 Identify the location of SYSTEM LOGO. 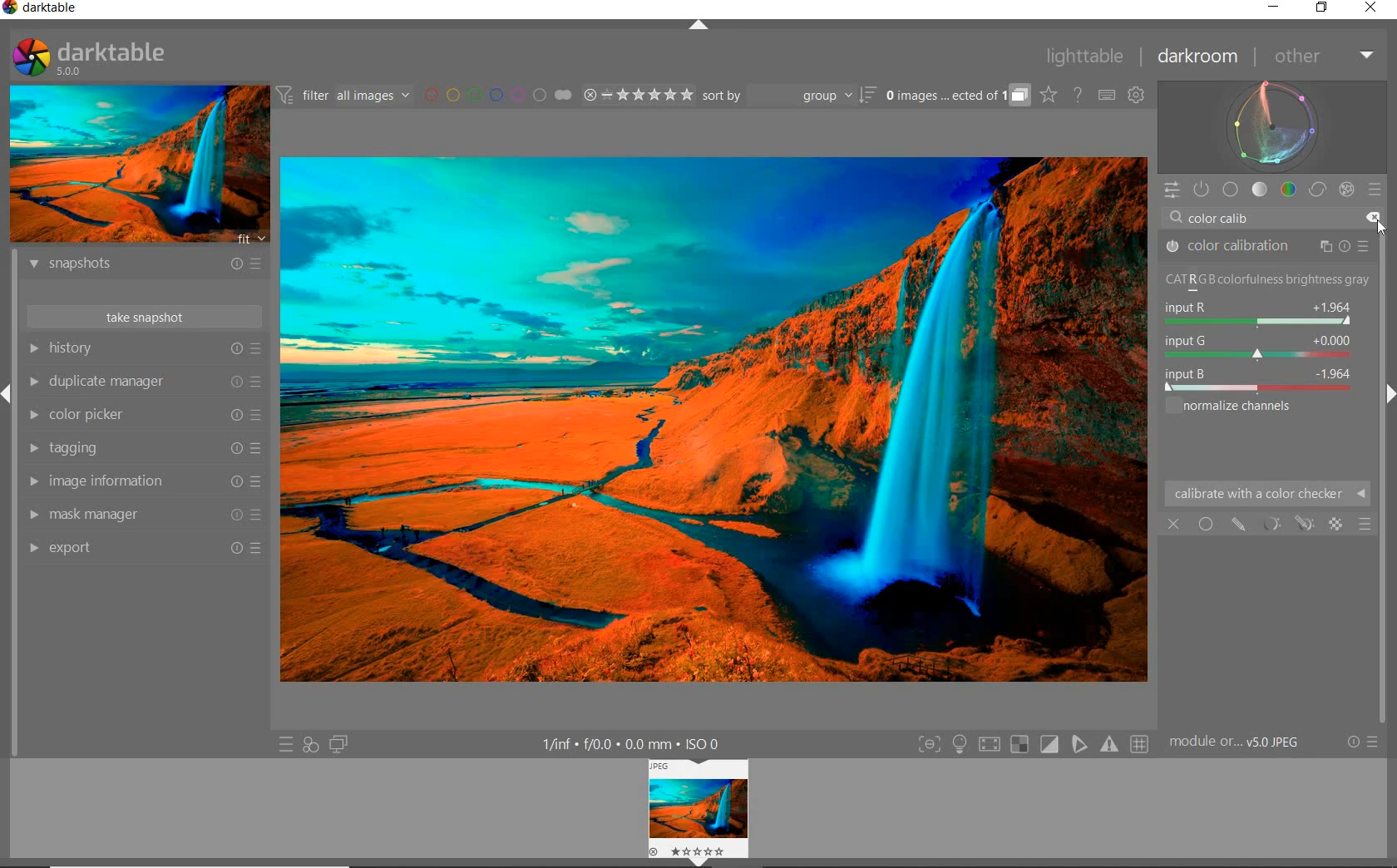
(90, 57).